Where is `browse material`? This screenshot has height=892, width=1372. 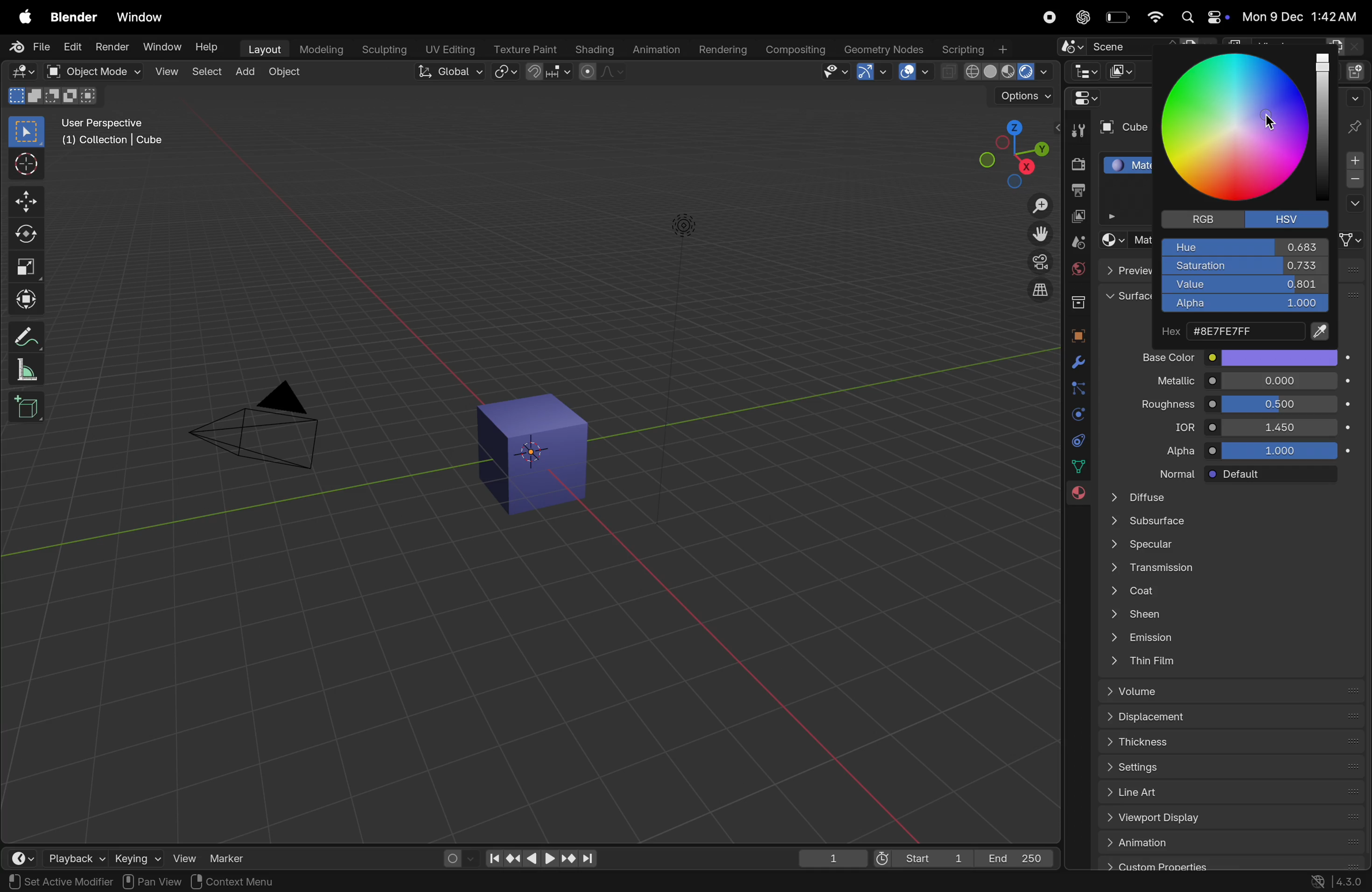
browse material is located at coordinates (1111, 240).